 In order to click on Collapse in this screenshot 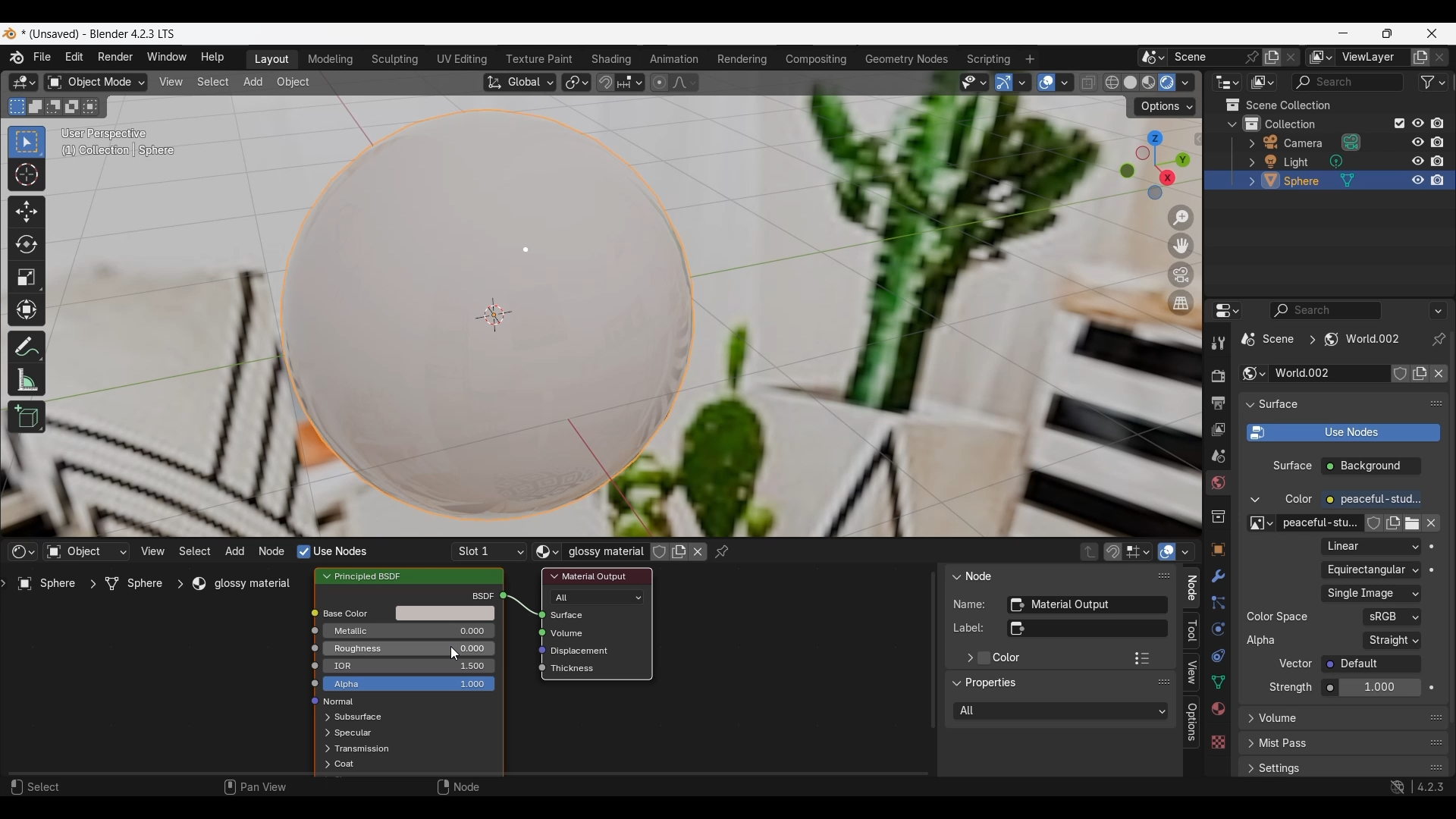, I will do `click(1255, 500)`.